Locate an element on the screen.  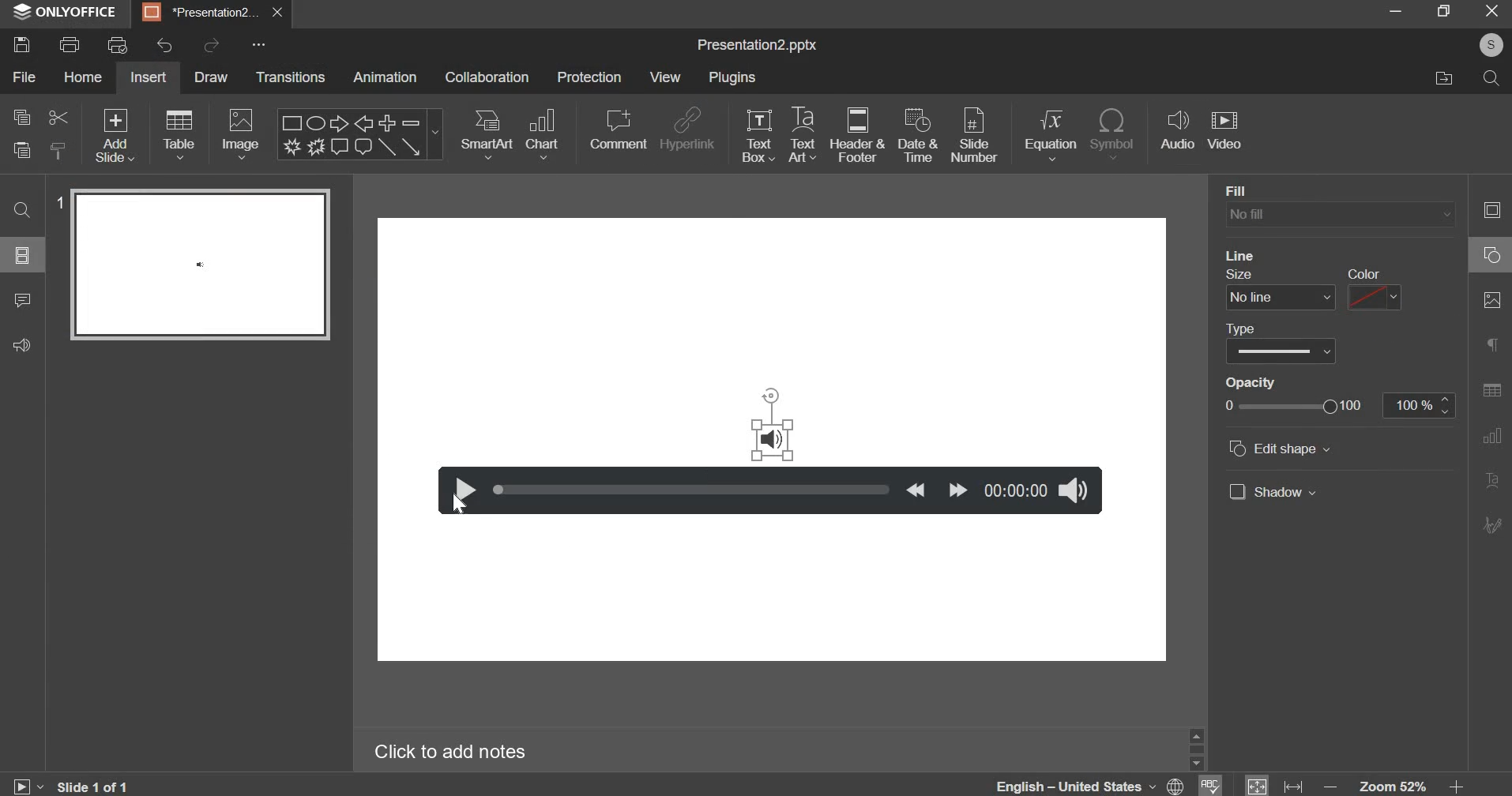
transitions is located at coordinates (292, 78).